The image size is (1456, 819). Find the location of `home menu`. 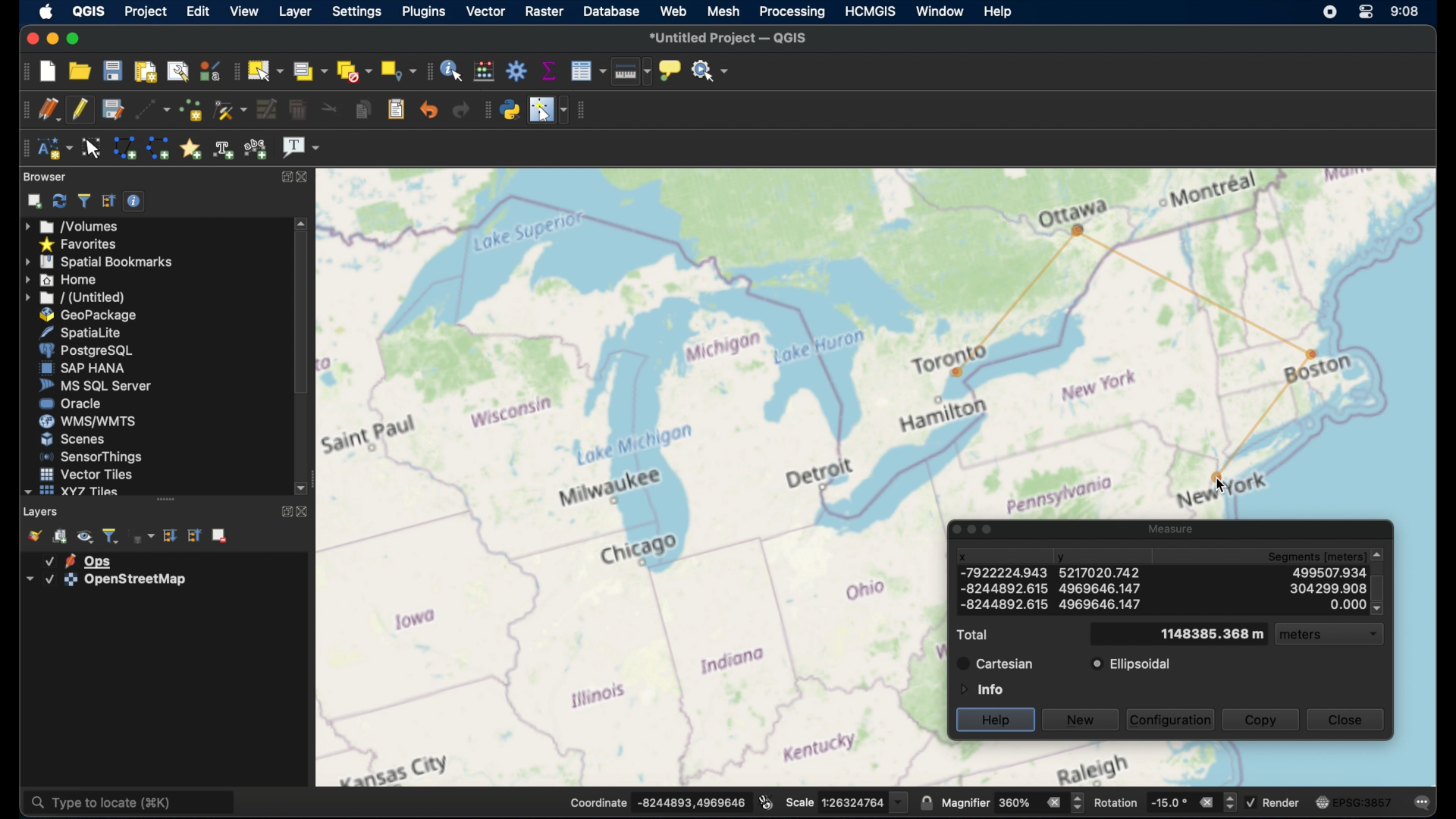

home menu is located at coordinates (67, 279).